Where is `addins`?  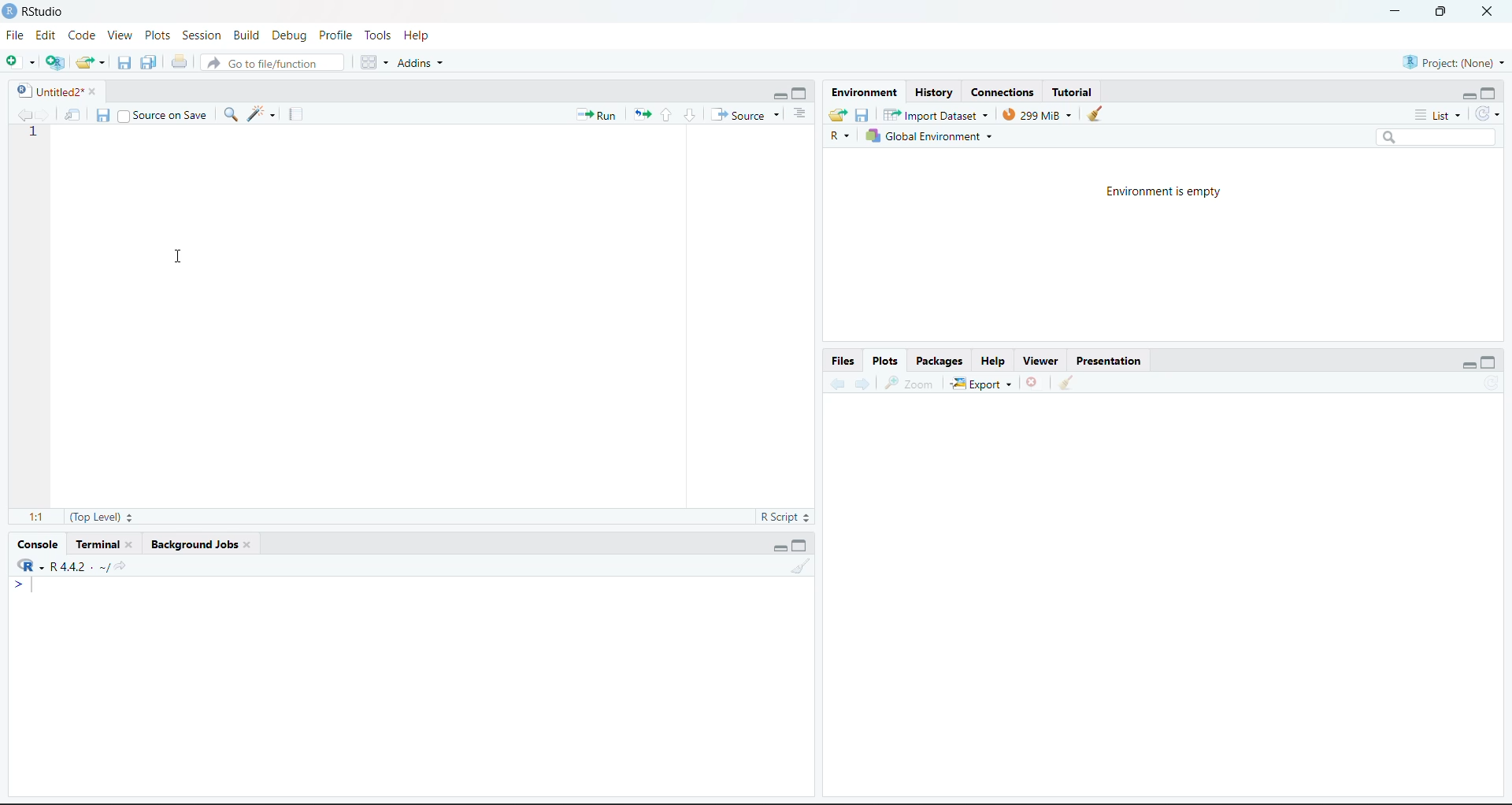
addins is located at coordinates (424, 61).